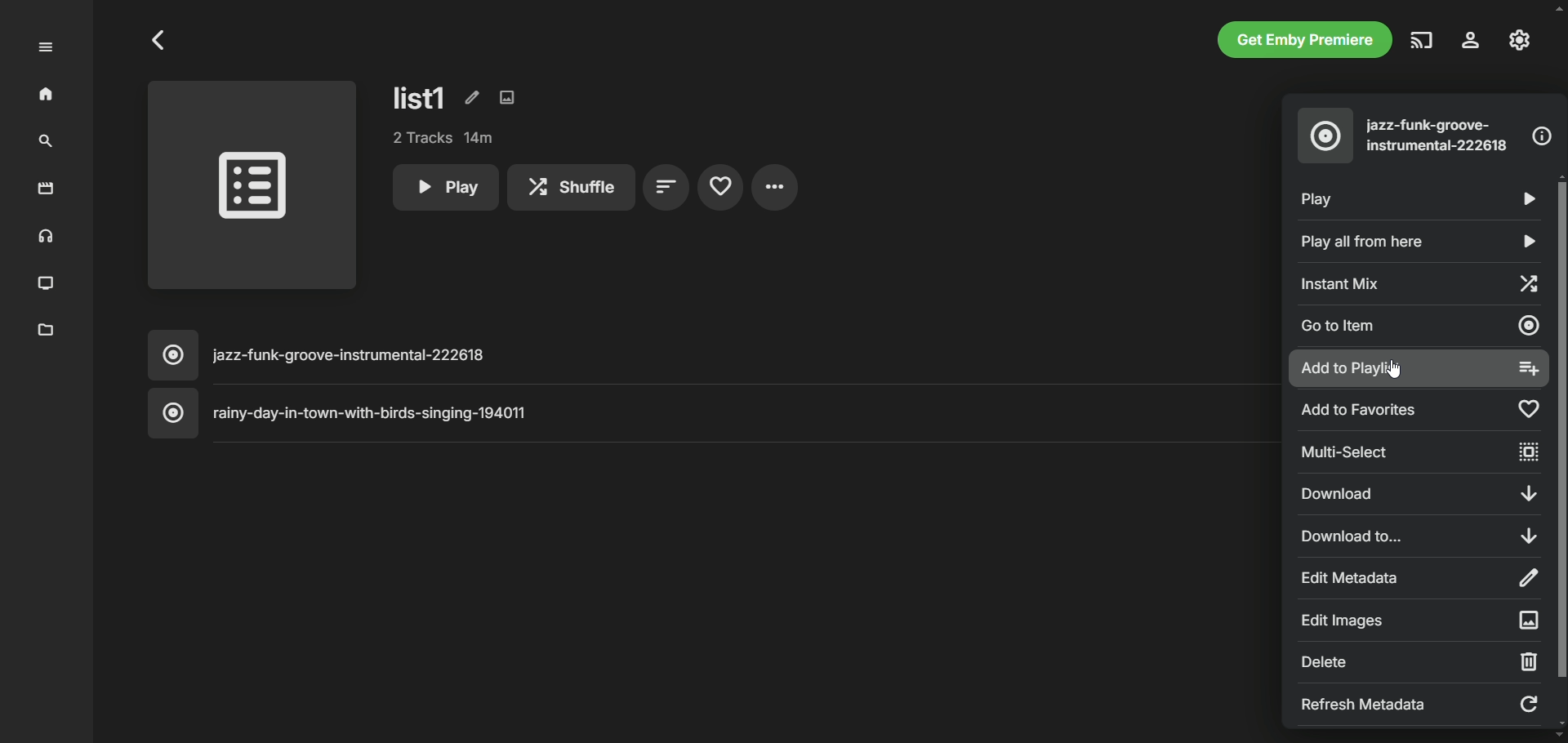 The height and width of the screenshot is (743, 1568). Describe the element at coordinates (711, 413) in the screenshot. I see `music title` at that location.